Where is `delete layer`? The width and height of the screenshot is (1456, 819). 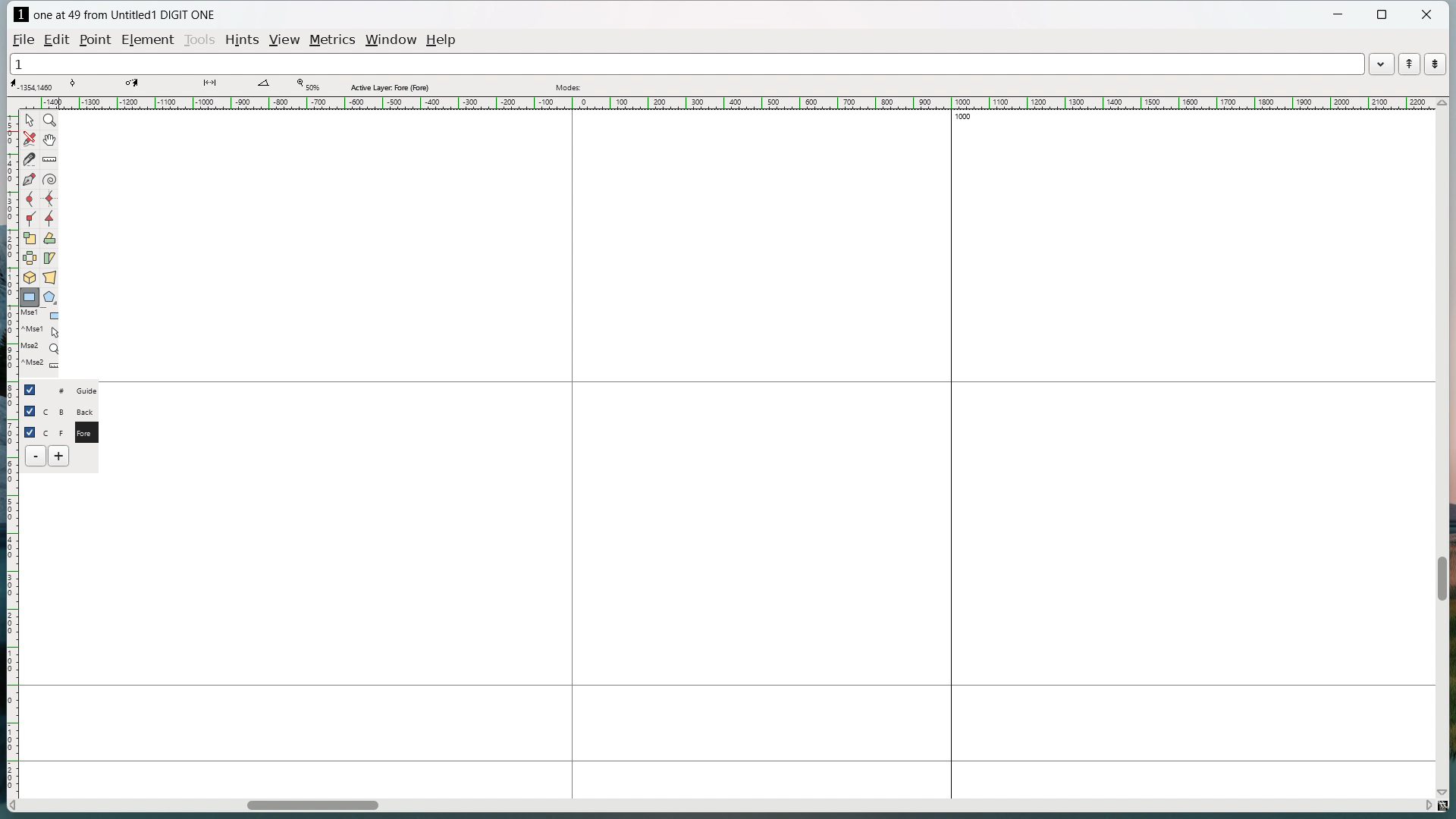
delete layer is located at coordinates (36, 456).